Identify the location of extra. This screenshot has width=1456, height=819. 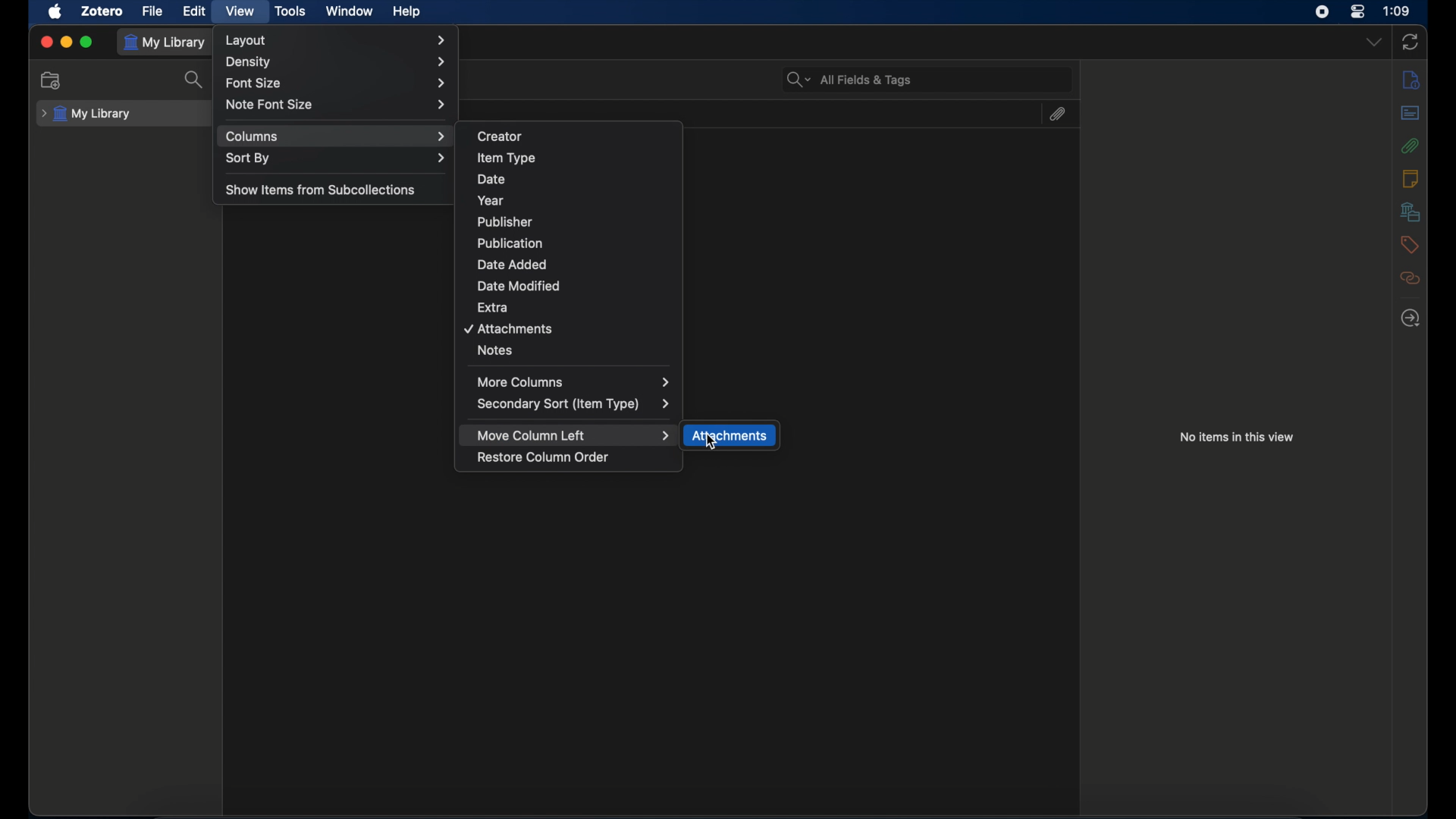
(494, 306).